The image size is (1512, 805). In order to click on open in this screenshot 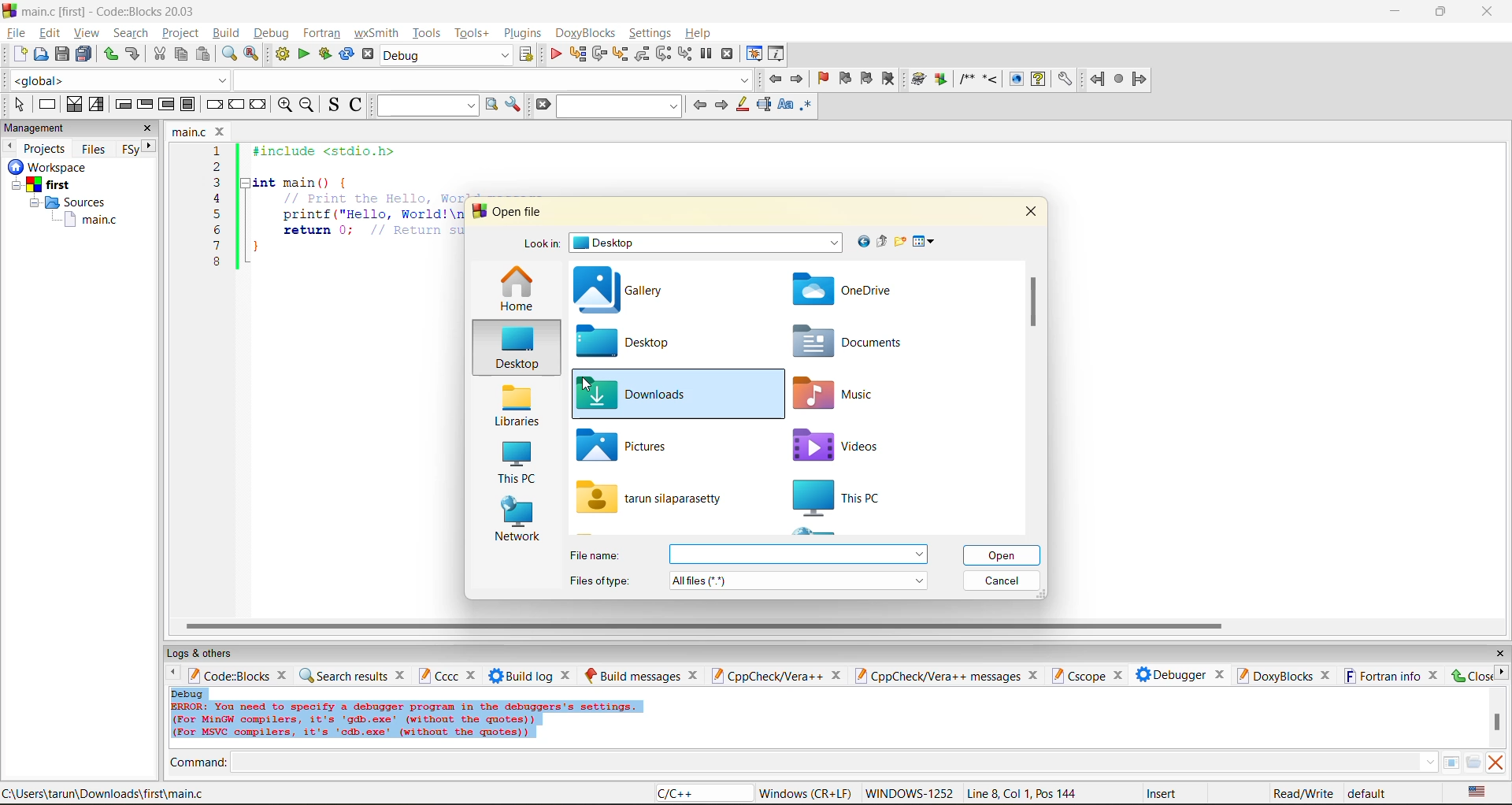, I will do `click(42, 54)`.